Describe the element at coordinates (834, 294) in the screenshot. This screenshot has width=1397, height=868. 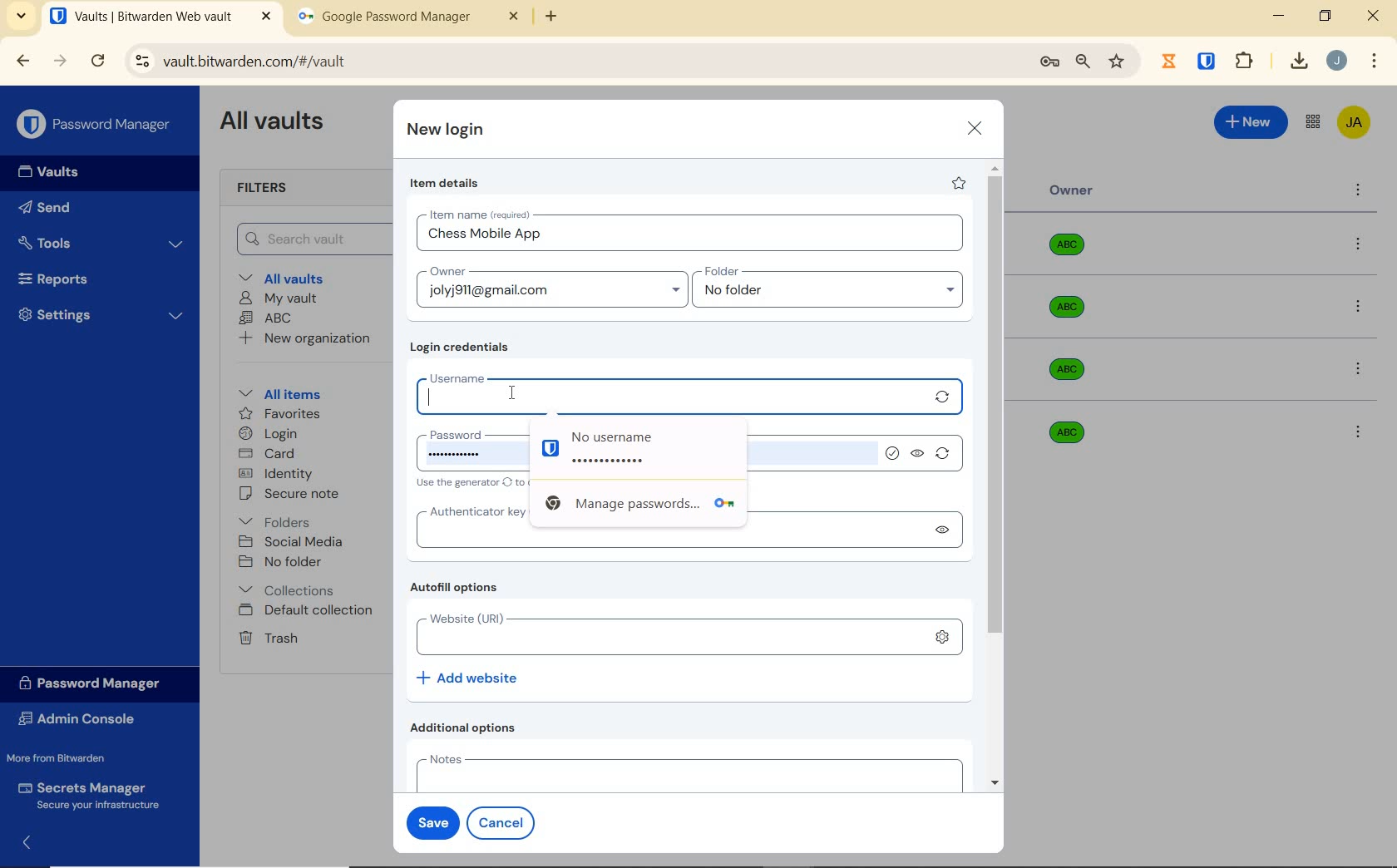
I see `no folder` at that location.